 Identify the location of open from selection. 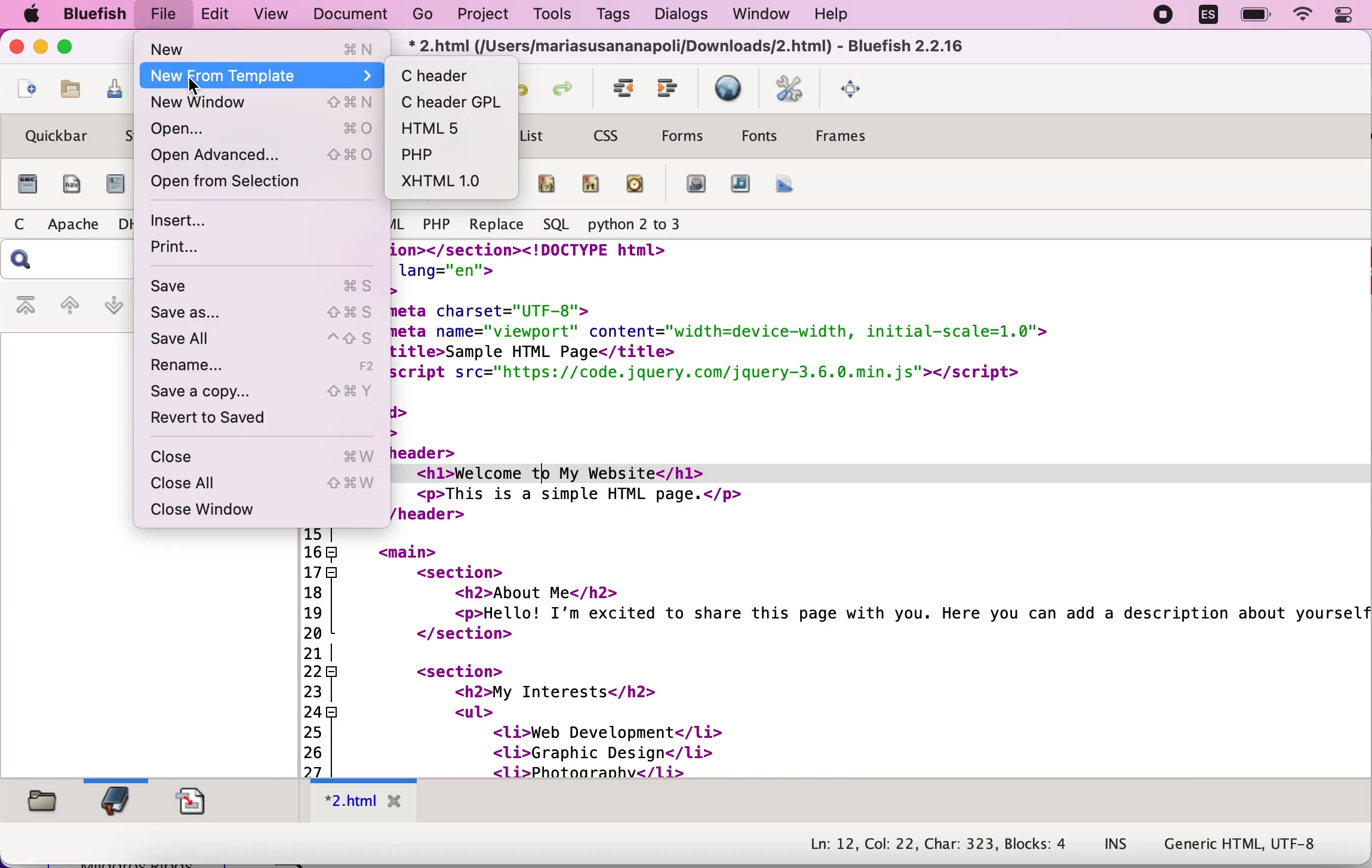
(256, 186).